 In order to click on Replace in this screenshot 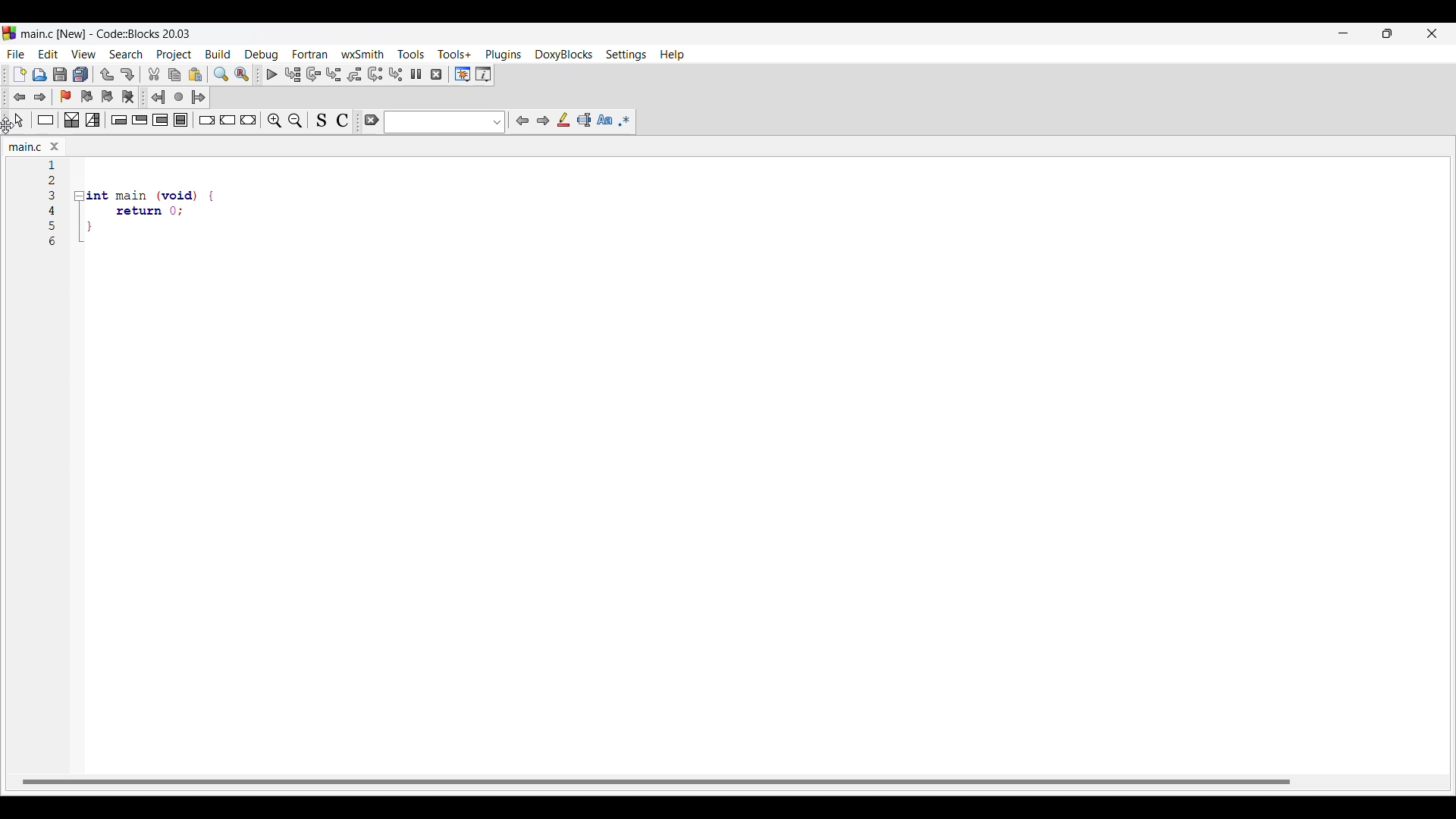, I will do `click(242, 74)`.